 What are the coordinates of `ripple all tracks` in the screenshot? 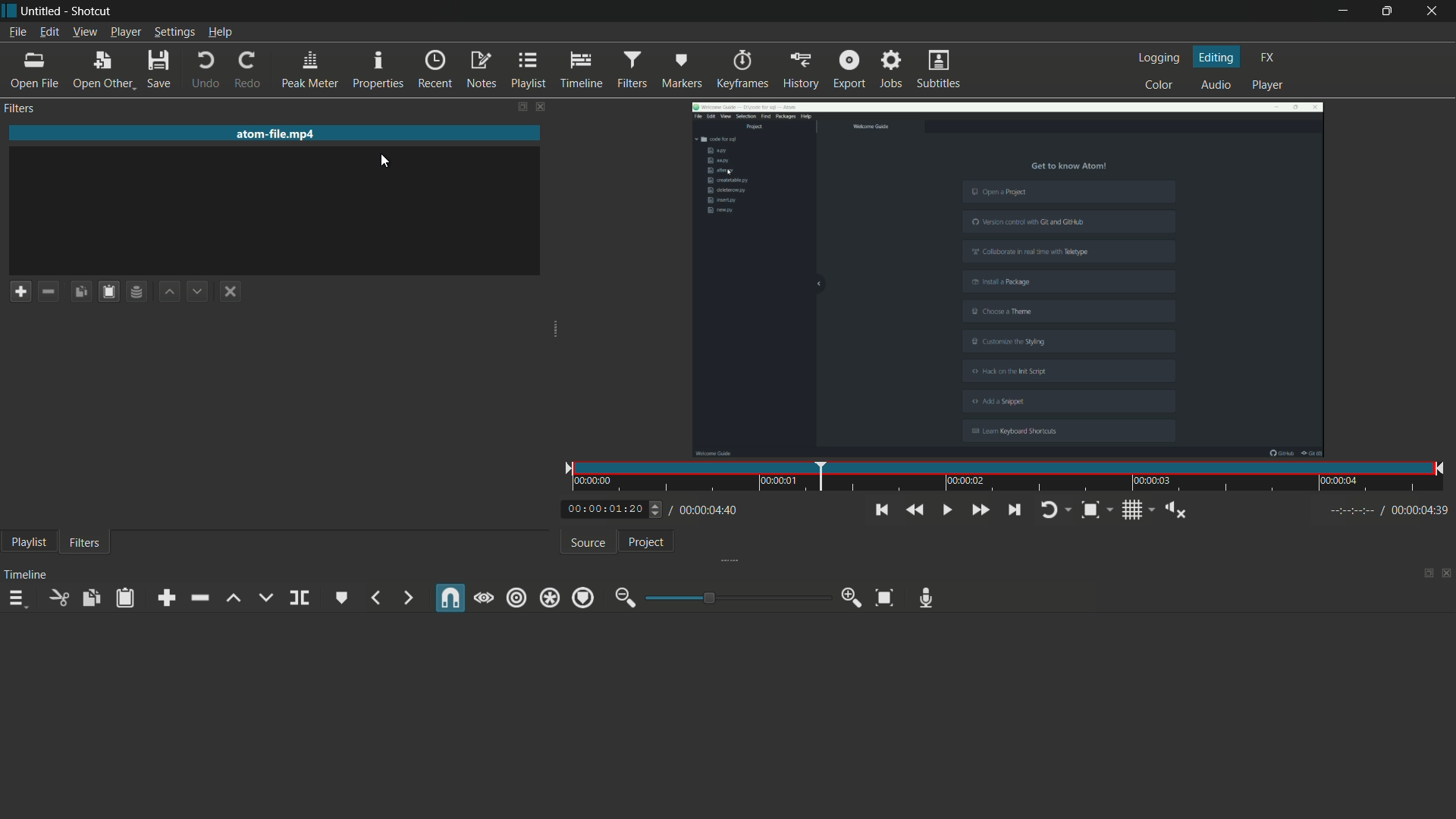 It's located at (548, 598).